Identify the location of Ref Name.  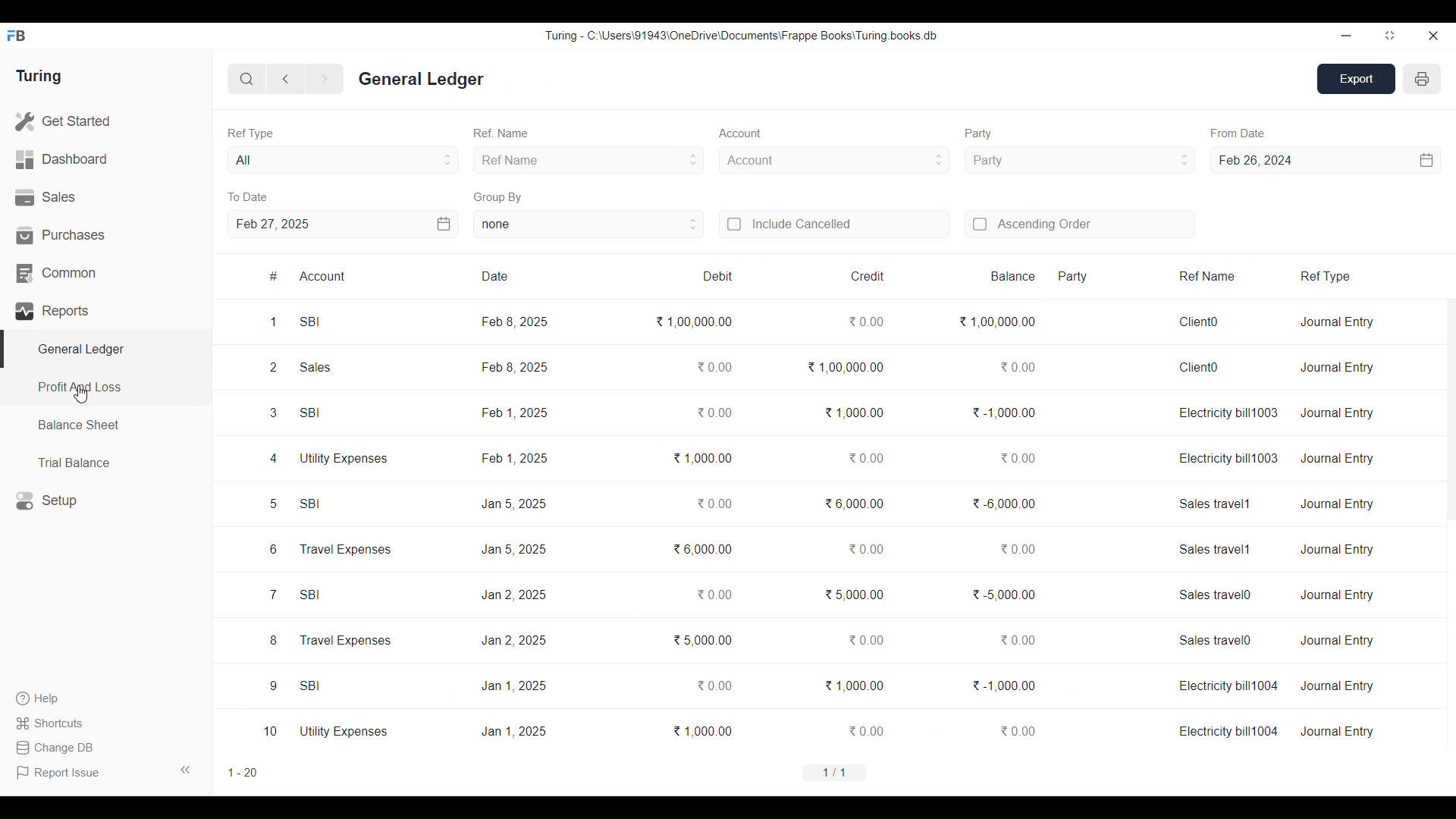
(588, 159).